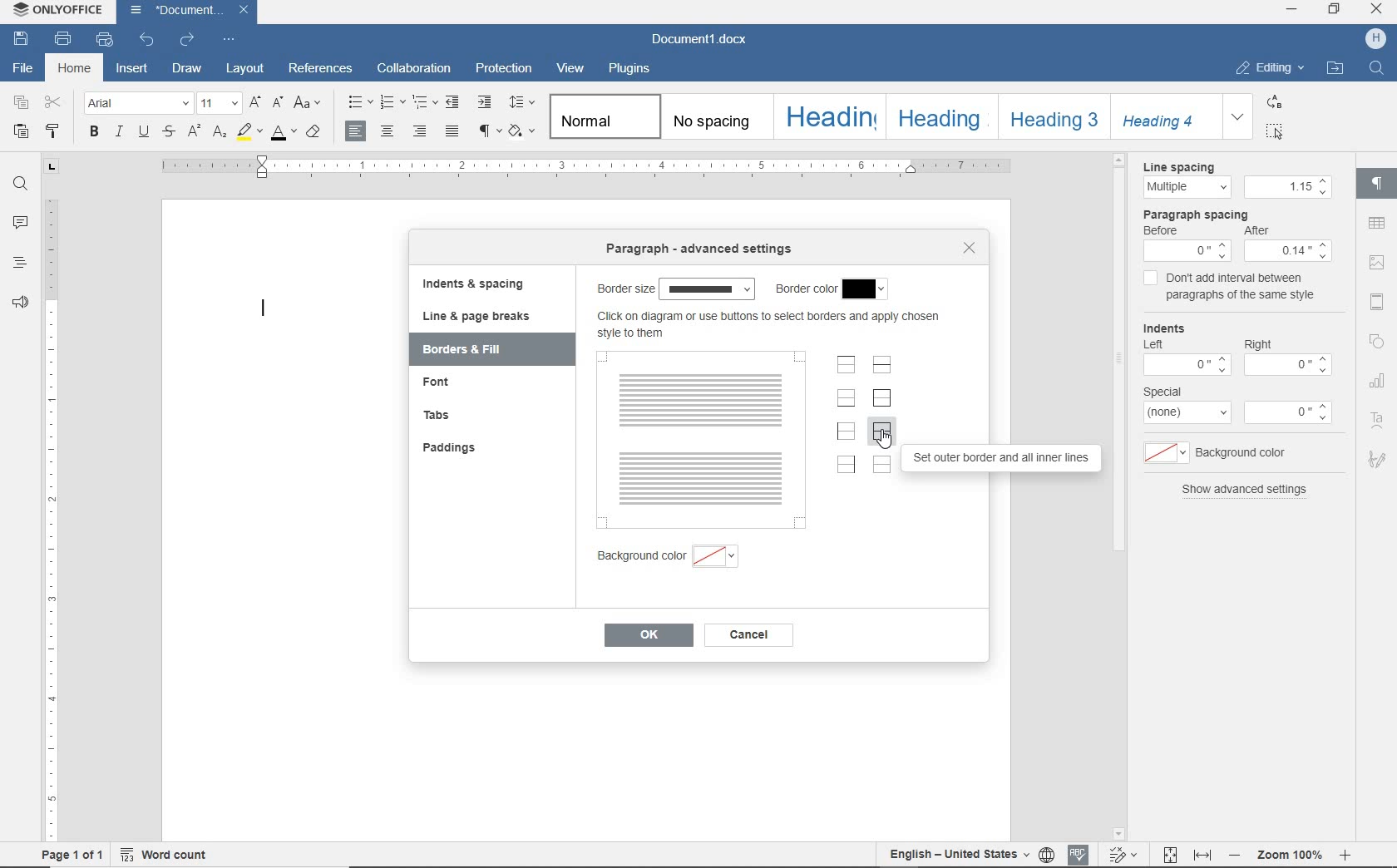 Image resolution: width=1397 pixels, height=868 pixels. Describe the element at coordinates (1380, 345) in the screenshot. I see `Shapes` at that location.